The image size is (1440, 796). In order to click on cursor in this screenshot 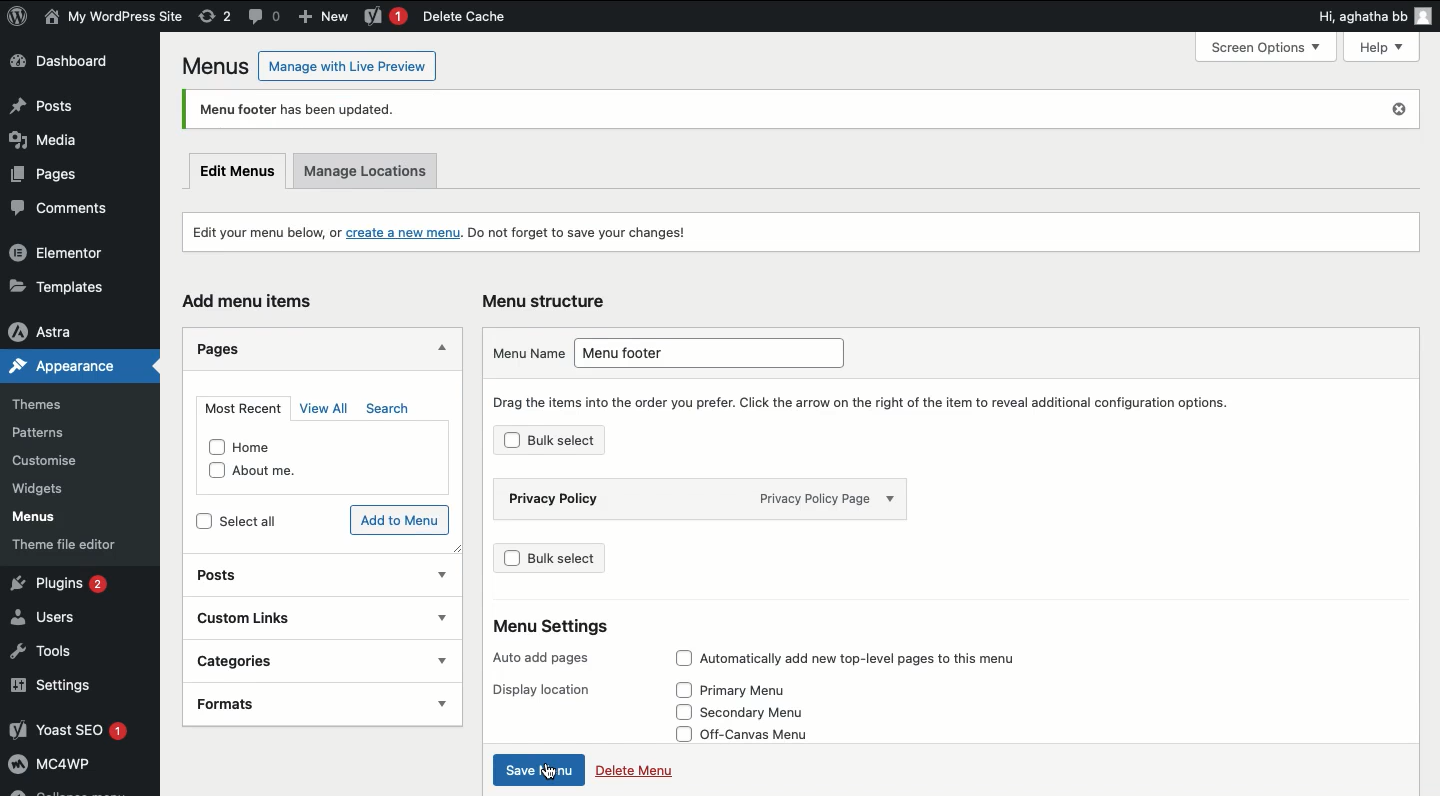, I will do `click(565, 781)`.